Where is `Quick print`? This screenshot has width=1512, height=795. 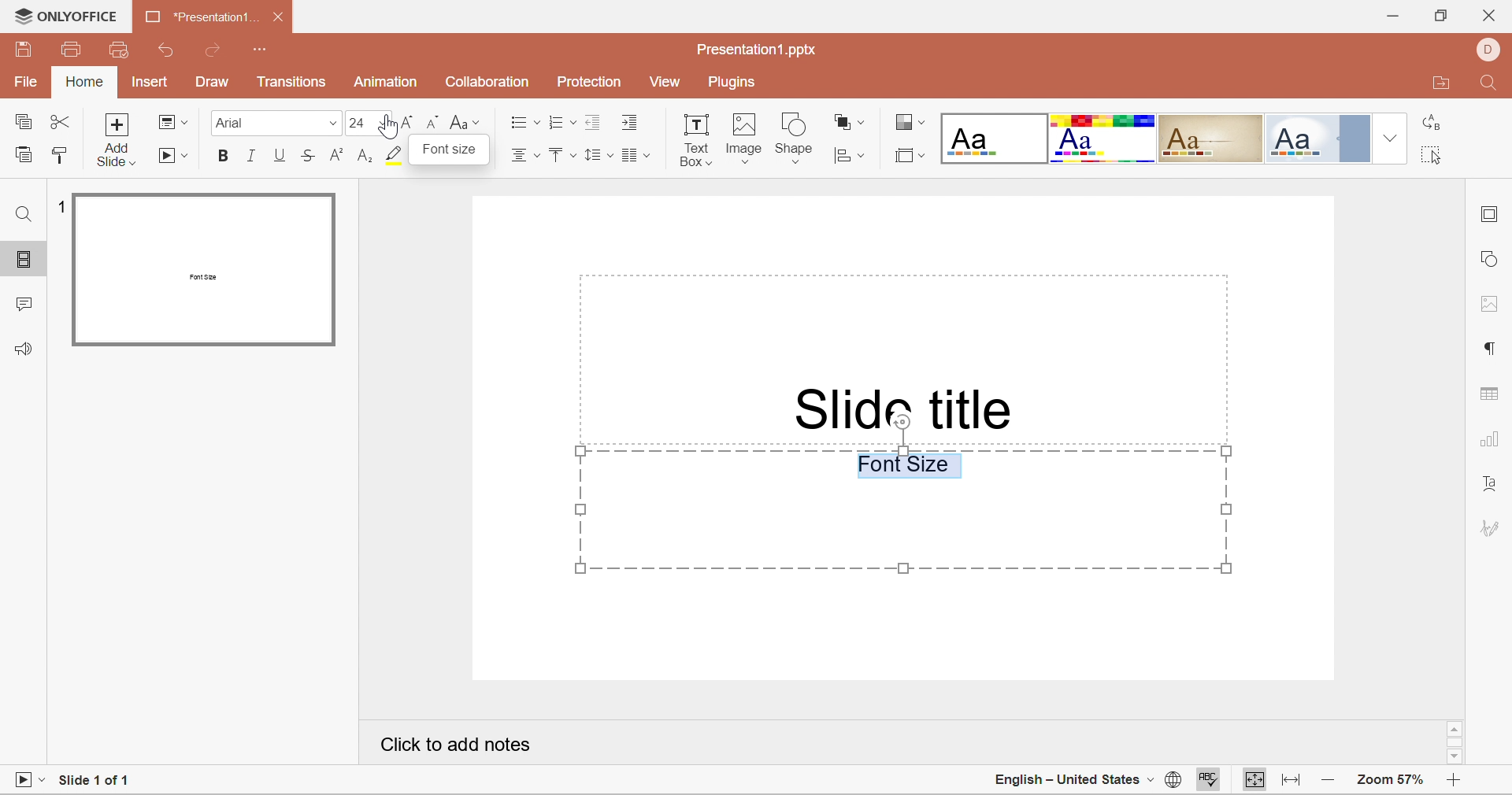
Quick print is located at coordinates (119, 48).